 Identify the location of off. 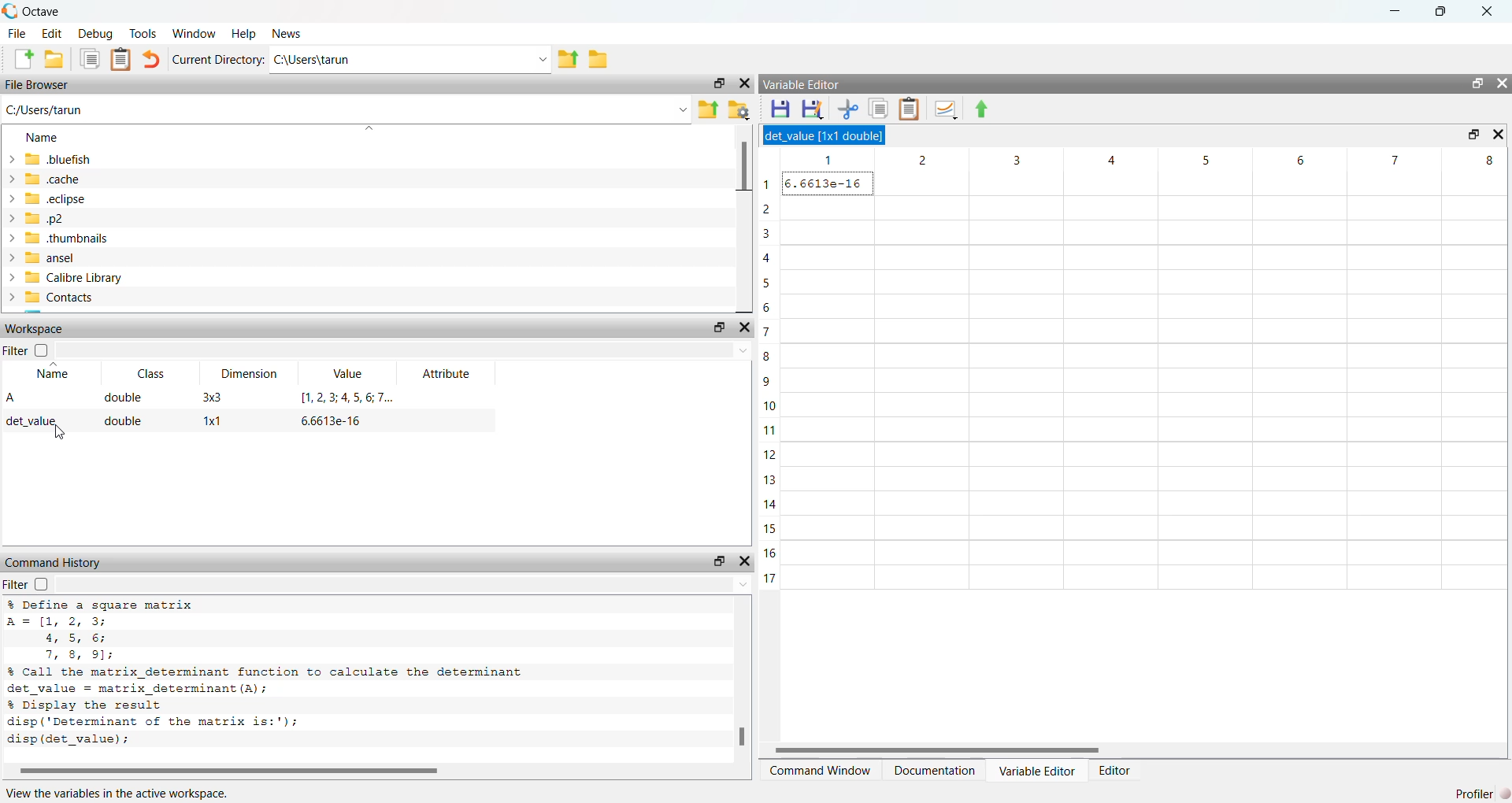
(40, 585).